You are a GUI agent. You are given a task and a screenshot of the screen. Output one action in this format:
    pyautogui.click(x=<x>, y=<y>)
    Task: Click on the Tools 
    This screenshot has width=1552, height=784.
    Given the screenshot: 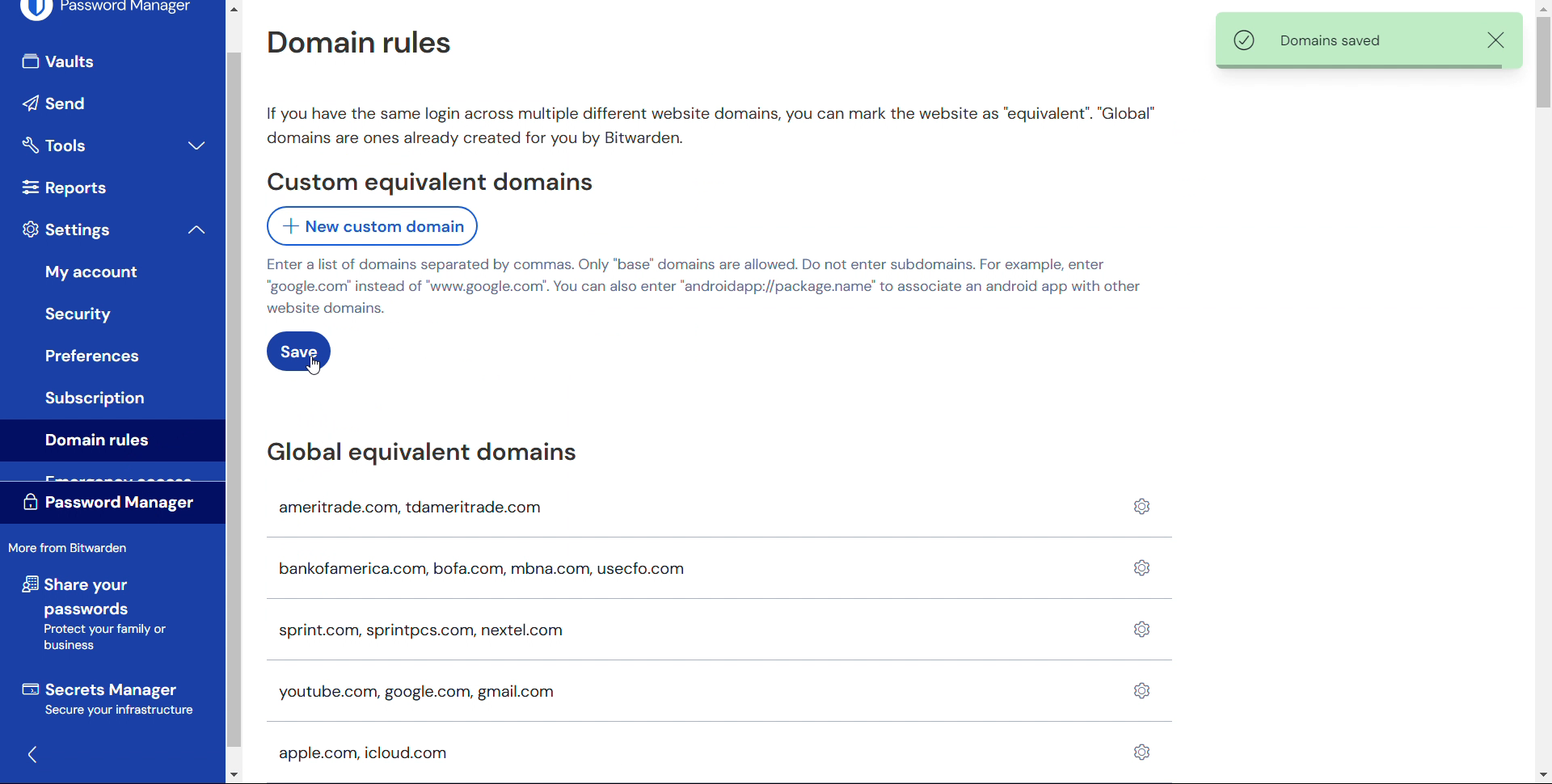 What is the action you would take?
    pyautogui.click(x=85, y=144)
    